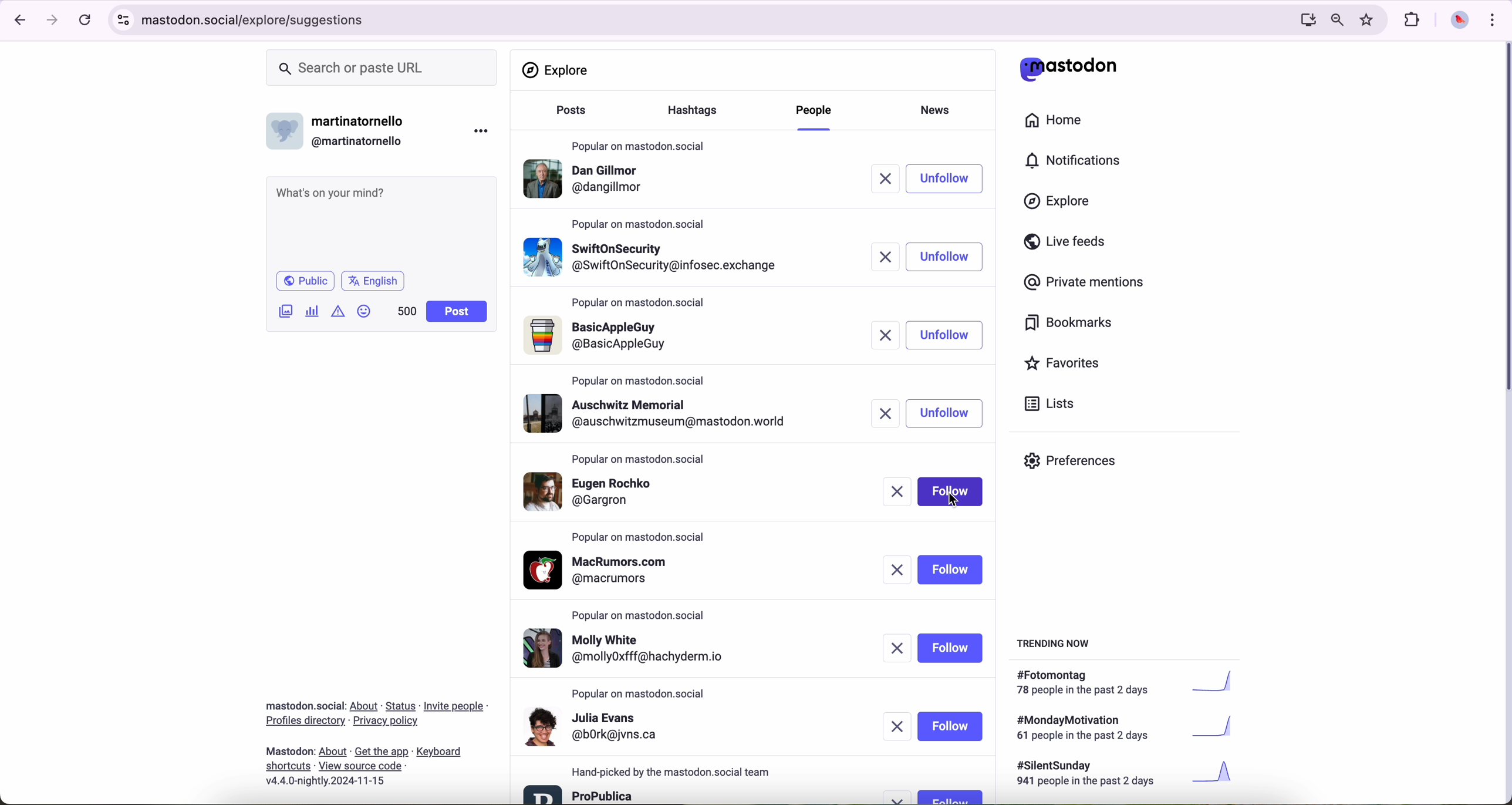 Image resolution: width=1512 pixels, height=805 pixels. Describe the element at coordinates (558, 70) in the screenshot. I see `explore section` at that location.